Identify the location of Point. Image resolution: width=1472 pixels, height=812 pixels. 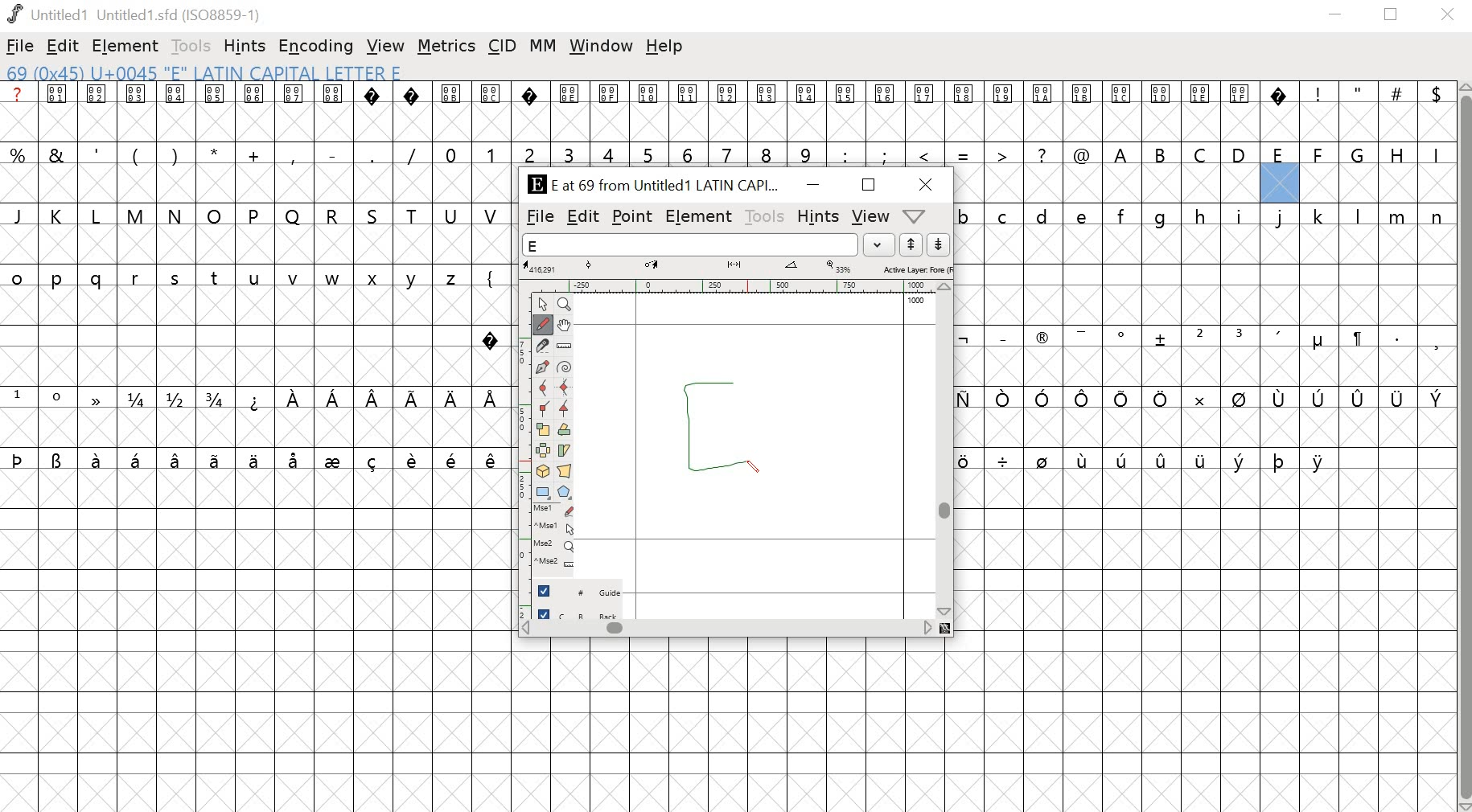
(542, 305).